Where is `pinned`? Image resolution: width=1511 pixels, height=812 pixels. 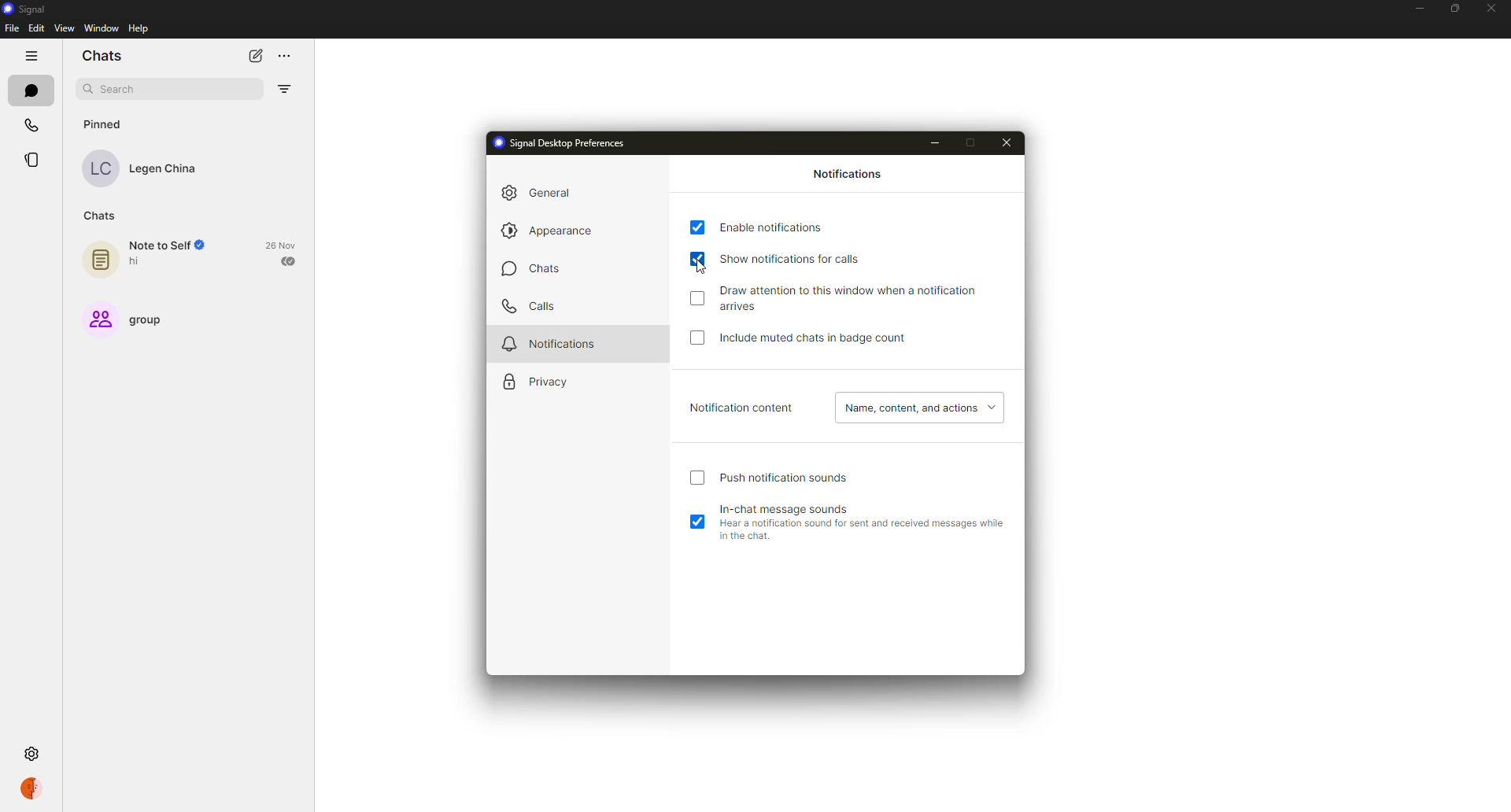 pinned is located at coordinates (105, 124).